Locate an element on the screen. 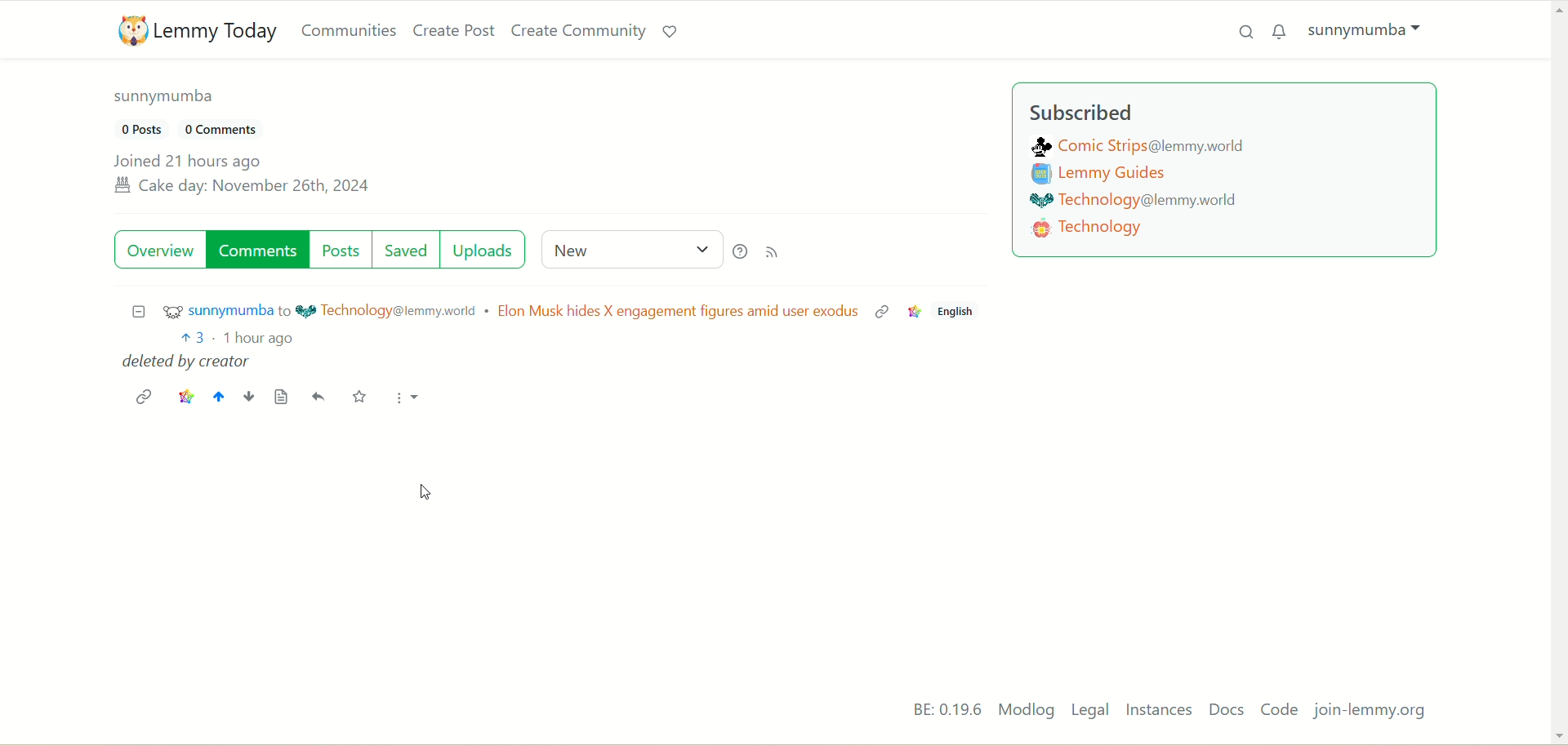  lemmy today logo and name is located at coordinates (192, 30).